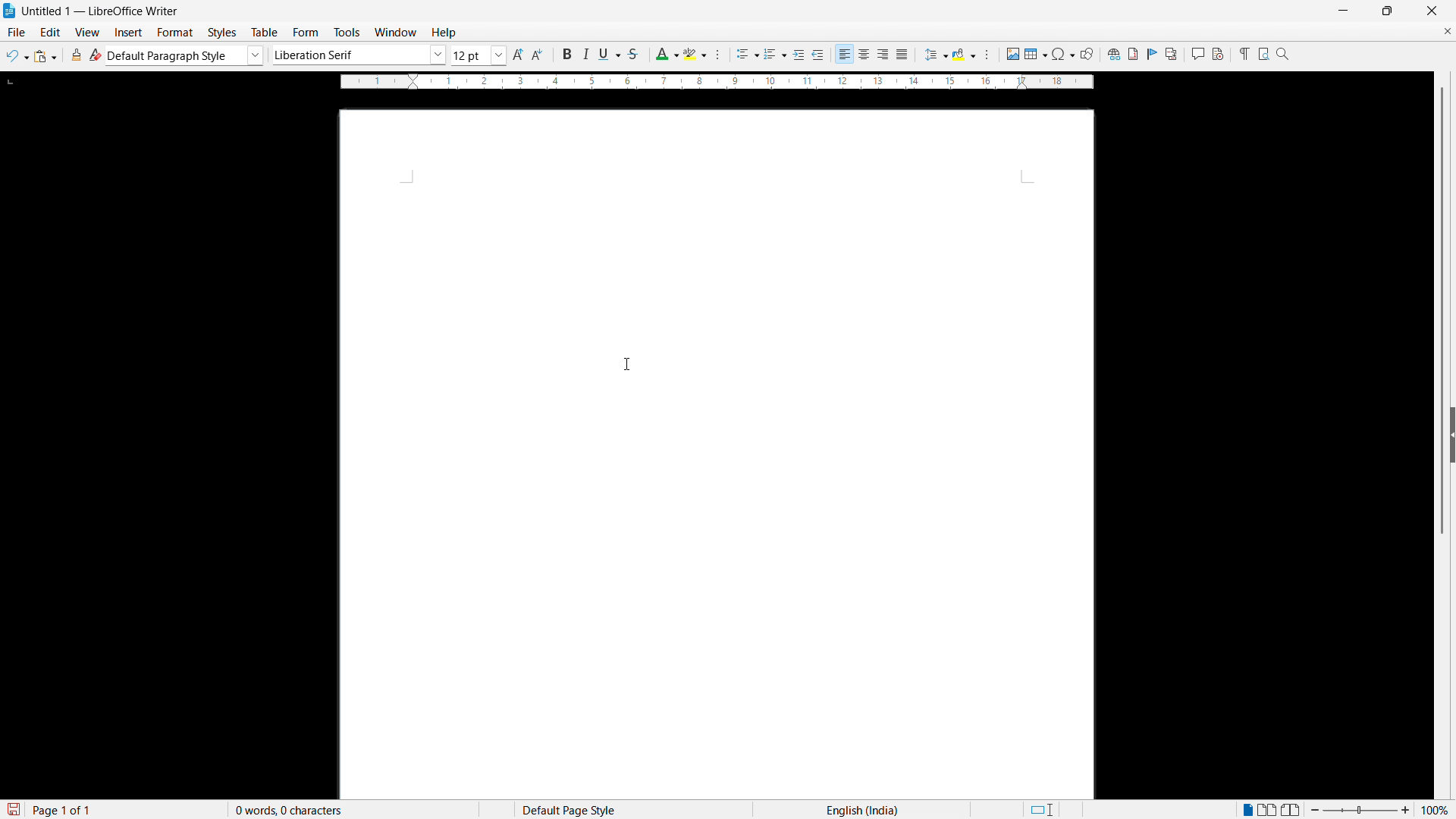 This screenshot has width=1456, height=819. I want to click on Font colour , so click(666, 55).